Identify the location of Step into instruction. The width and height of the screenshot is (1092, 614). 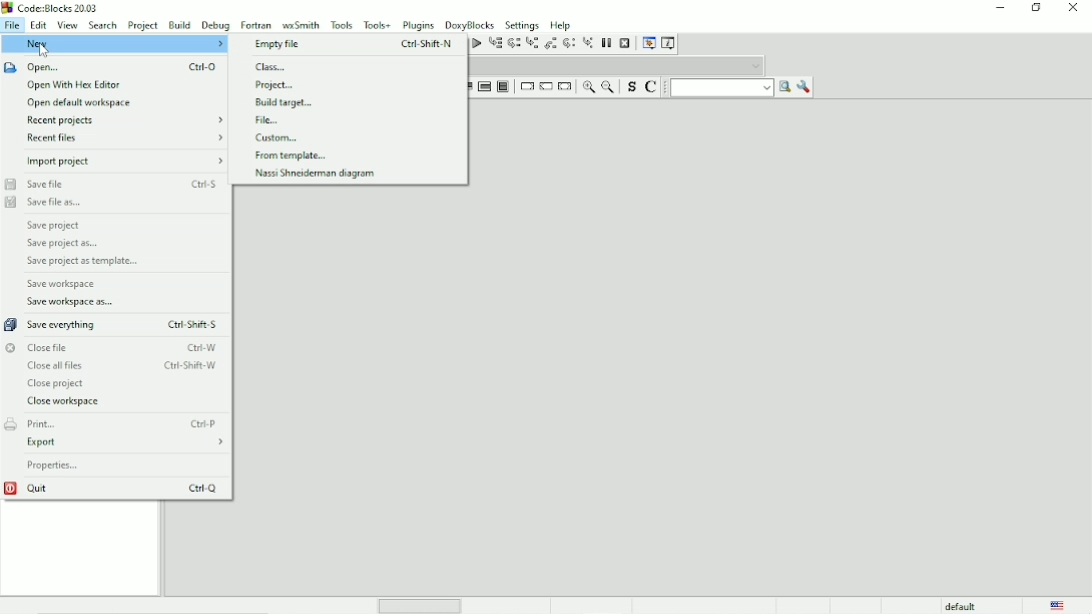
(588, 44).